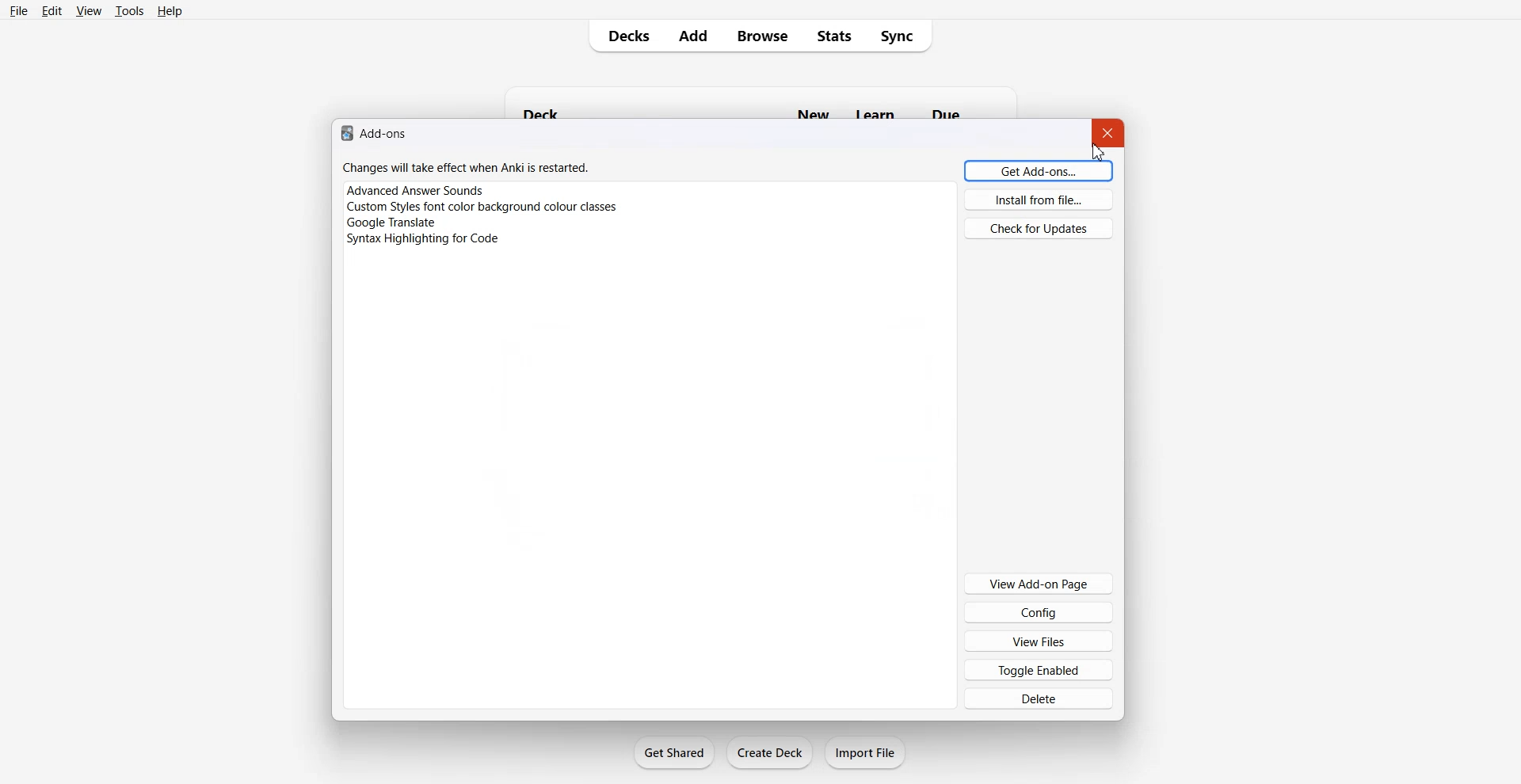  What do you see at coordinates (623, 36) in the screenshot?
I see `Decks` at bounding box center [623, 36].